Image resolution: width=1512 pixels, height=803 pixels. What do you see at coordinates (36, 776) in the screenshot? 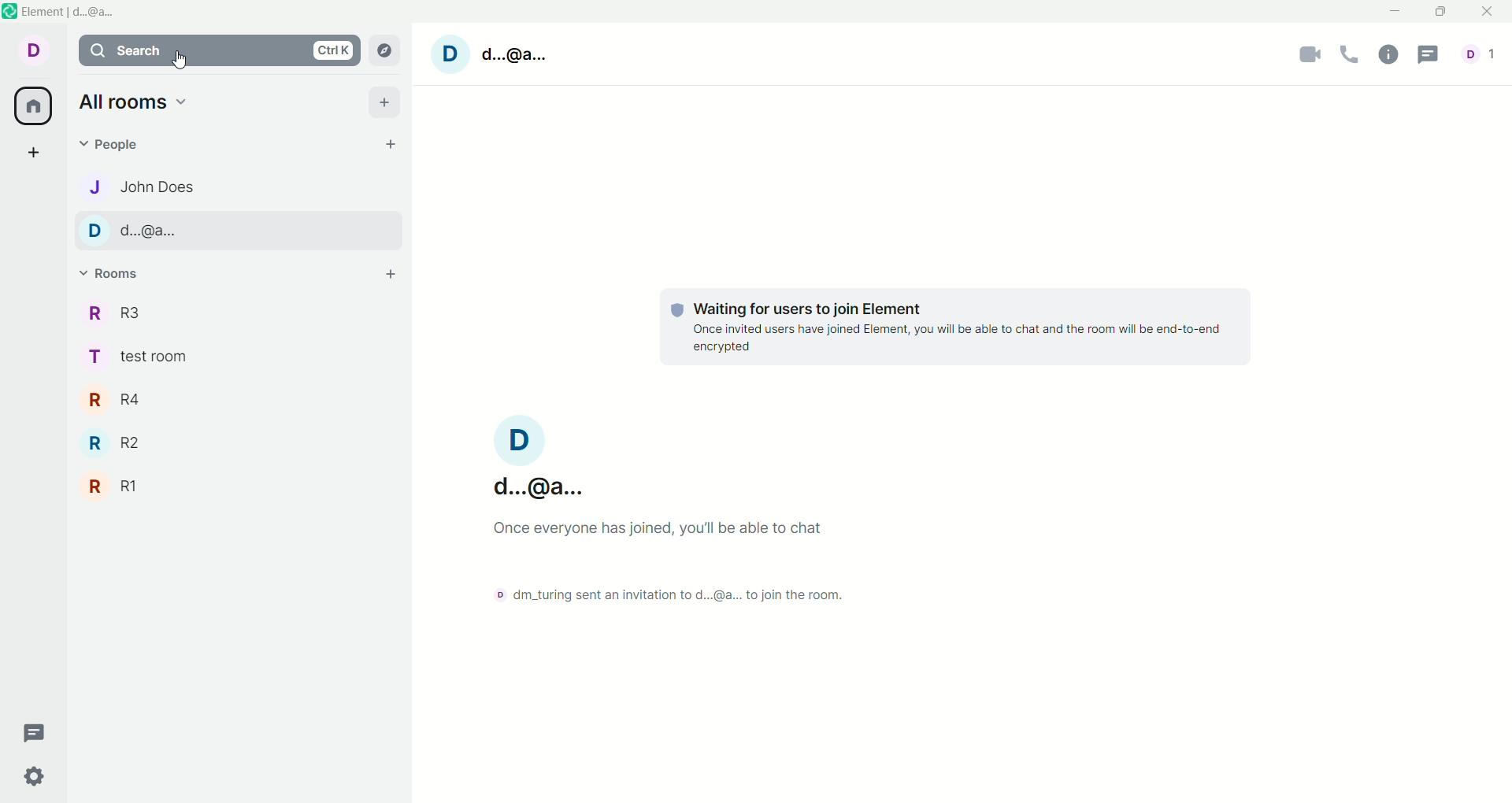
I see `quick settings` at bounding box center [36, 776].